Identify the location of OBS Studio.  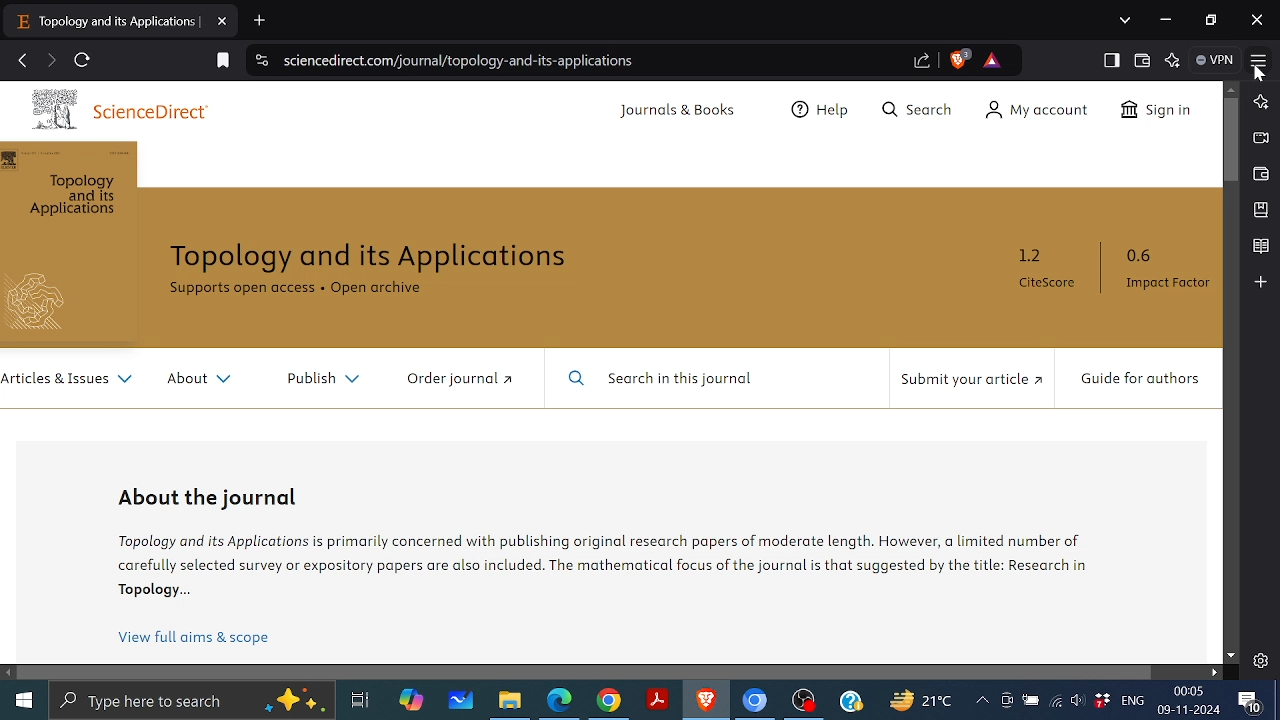
(804, 702).